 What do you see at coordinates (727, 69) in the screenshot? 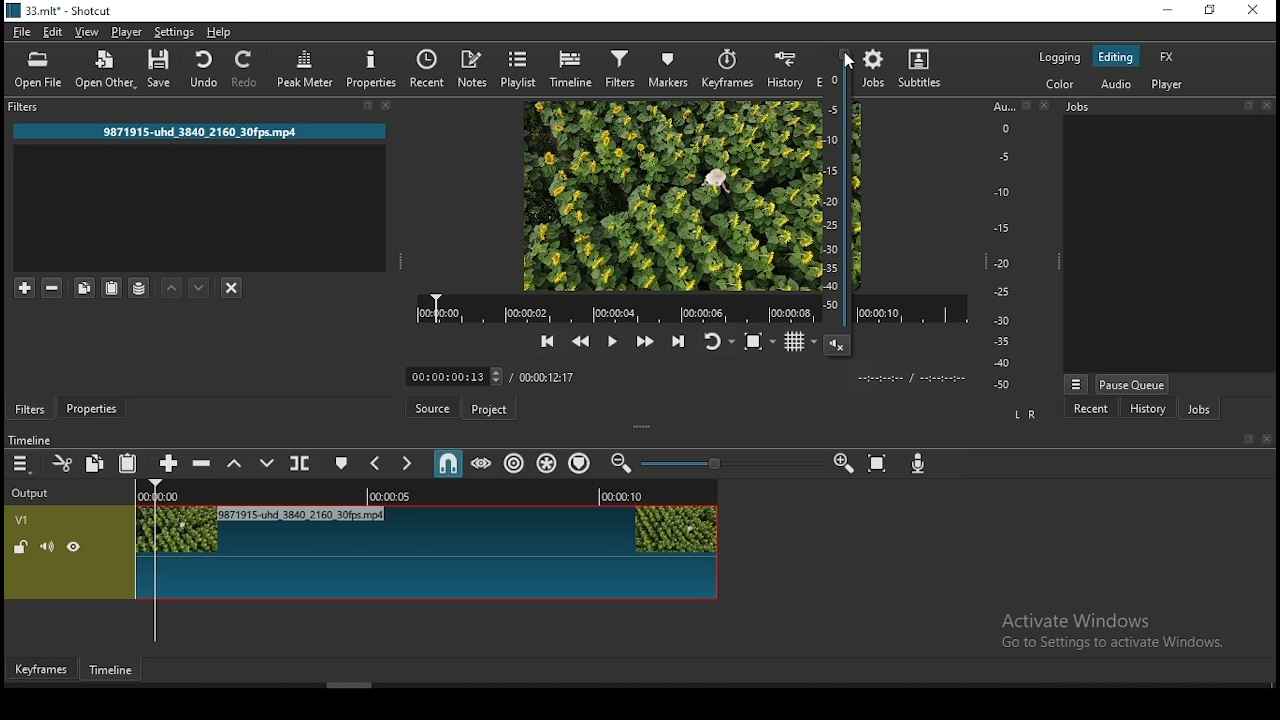
I see `keyframes` at bounding box center [727, 69].